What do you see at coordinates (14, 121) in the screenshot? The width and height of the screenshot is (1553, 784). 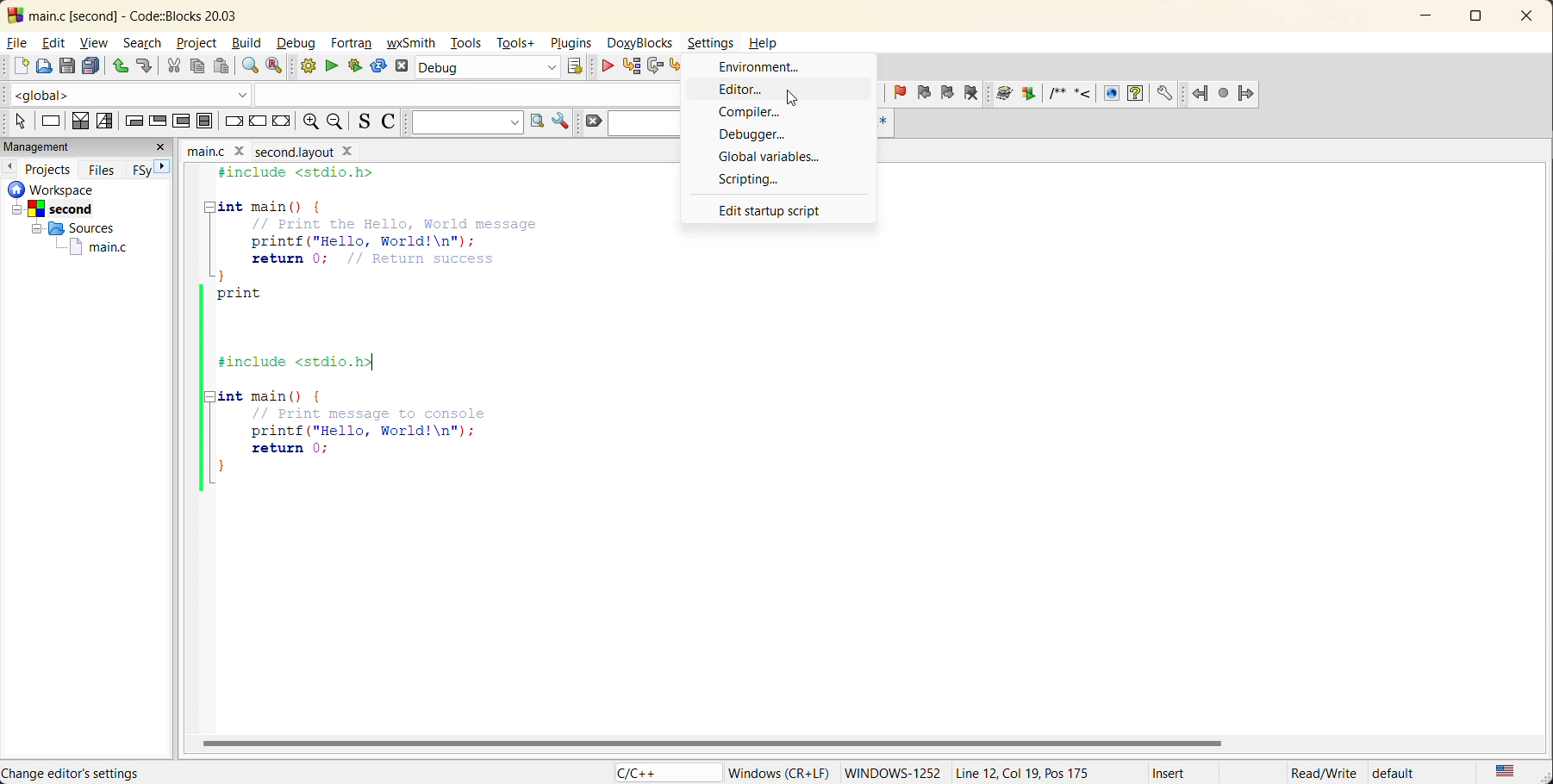 I see `select` at bounding box center [14, 121].